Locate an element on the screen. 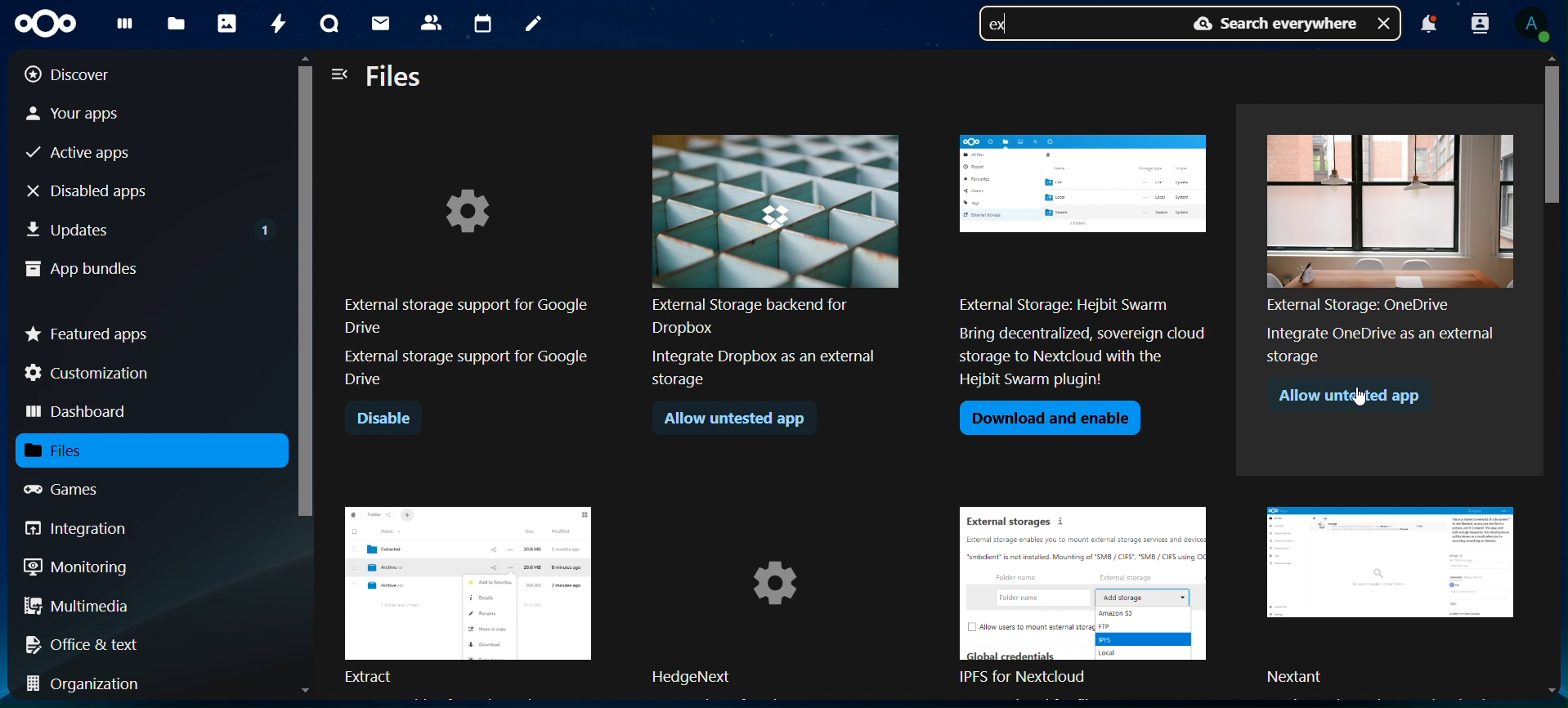 Image resolution: width=1568 pixels, height=708 pixels. files download limit file link share download limit is located at coordinates (1389, 242).